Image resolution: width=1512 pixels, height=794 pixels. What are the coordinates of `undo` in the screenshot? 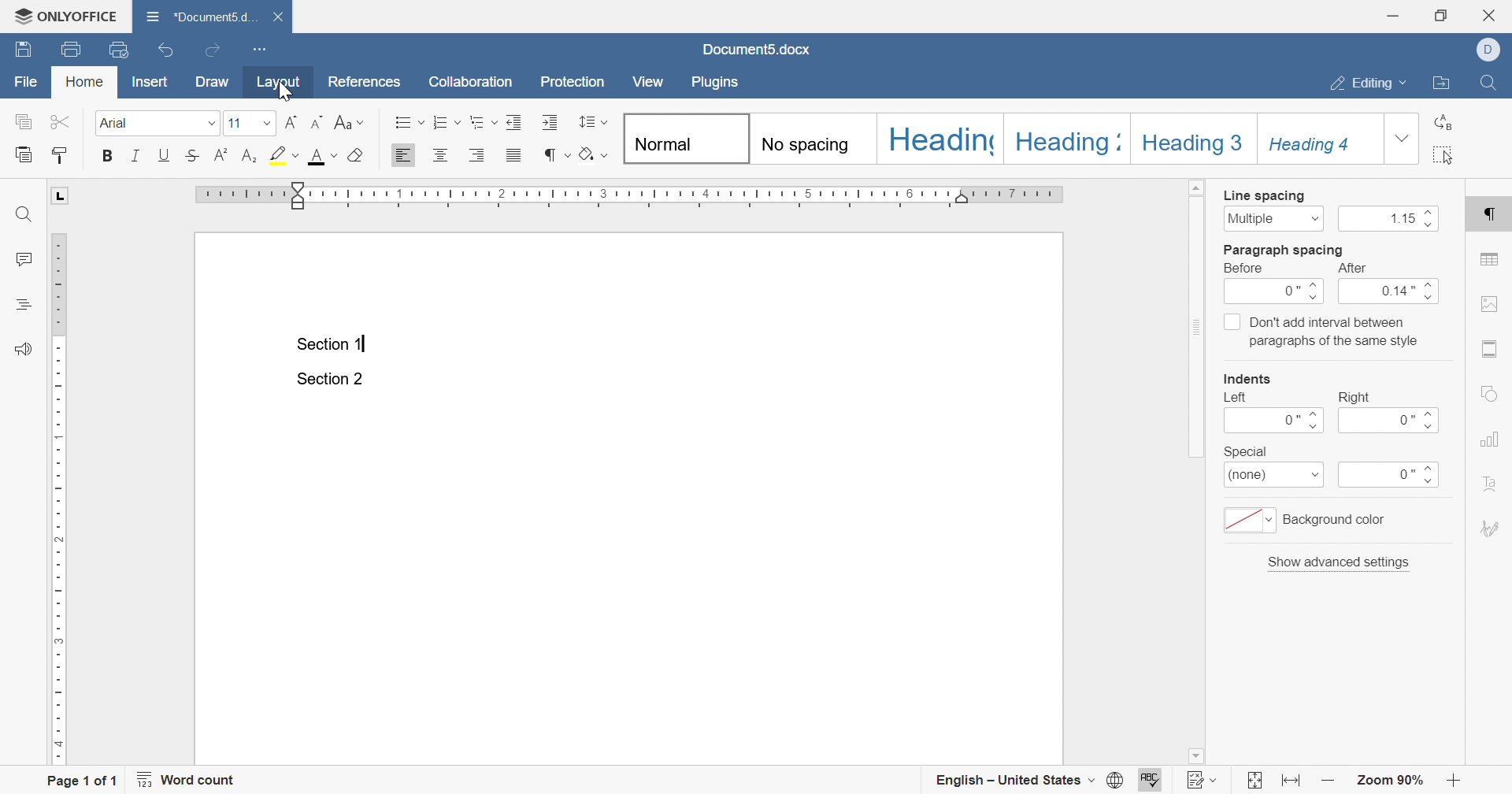 It's located at (165, 50).